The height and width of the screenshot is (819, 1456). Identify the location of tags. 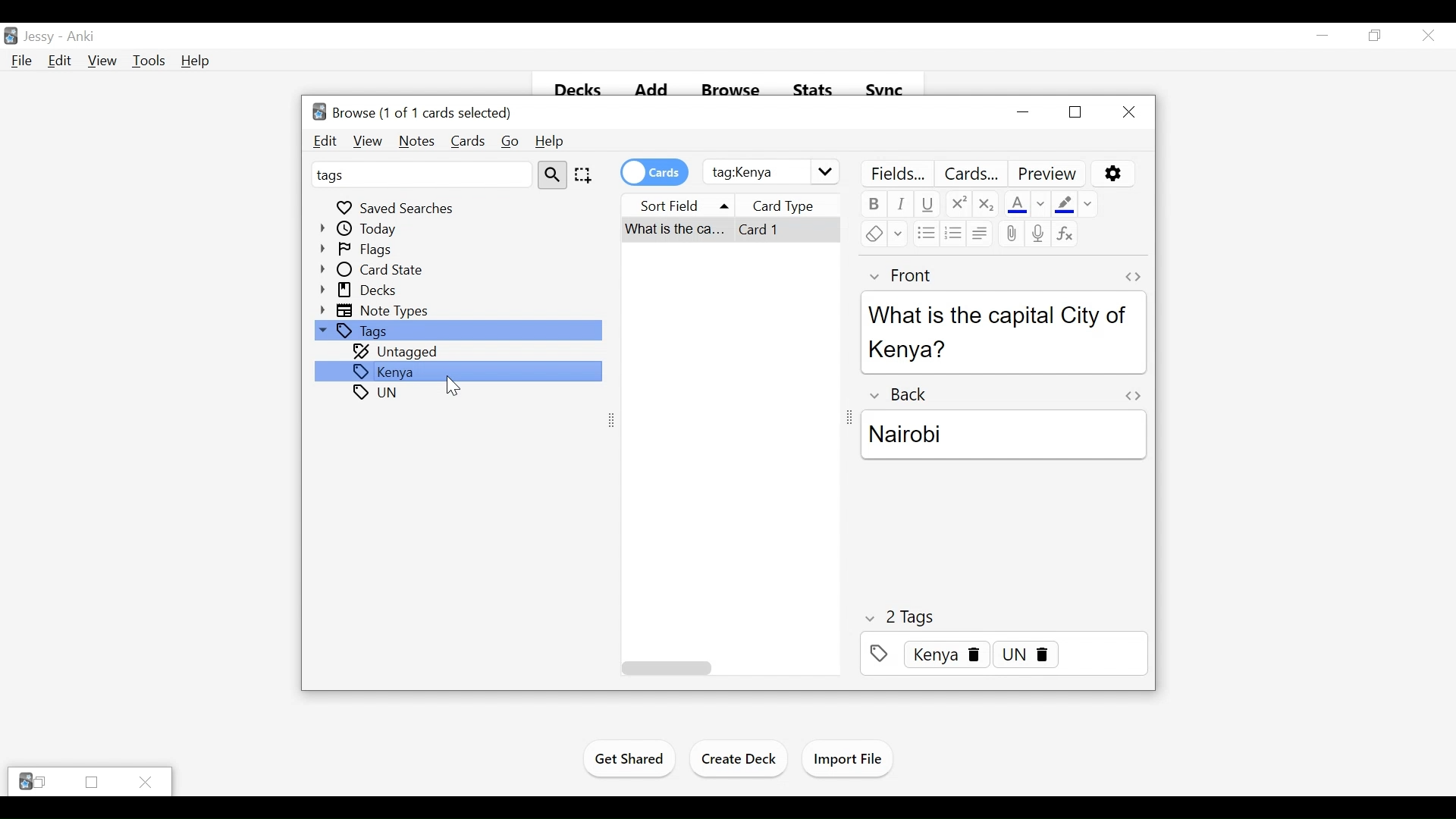
(378, 393).